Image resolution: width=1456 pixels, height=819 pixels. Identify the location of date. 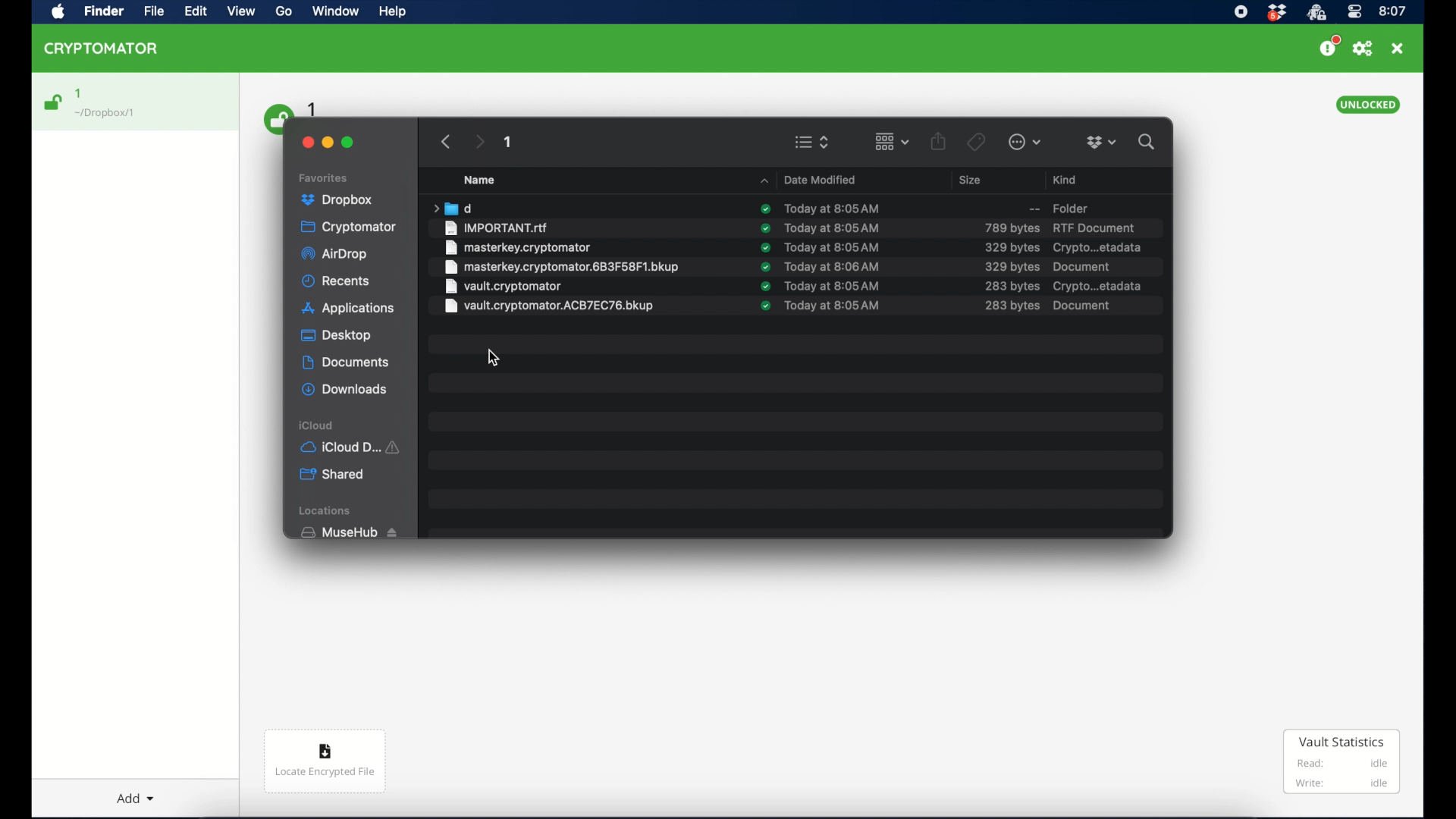
(835, 286).